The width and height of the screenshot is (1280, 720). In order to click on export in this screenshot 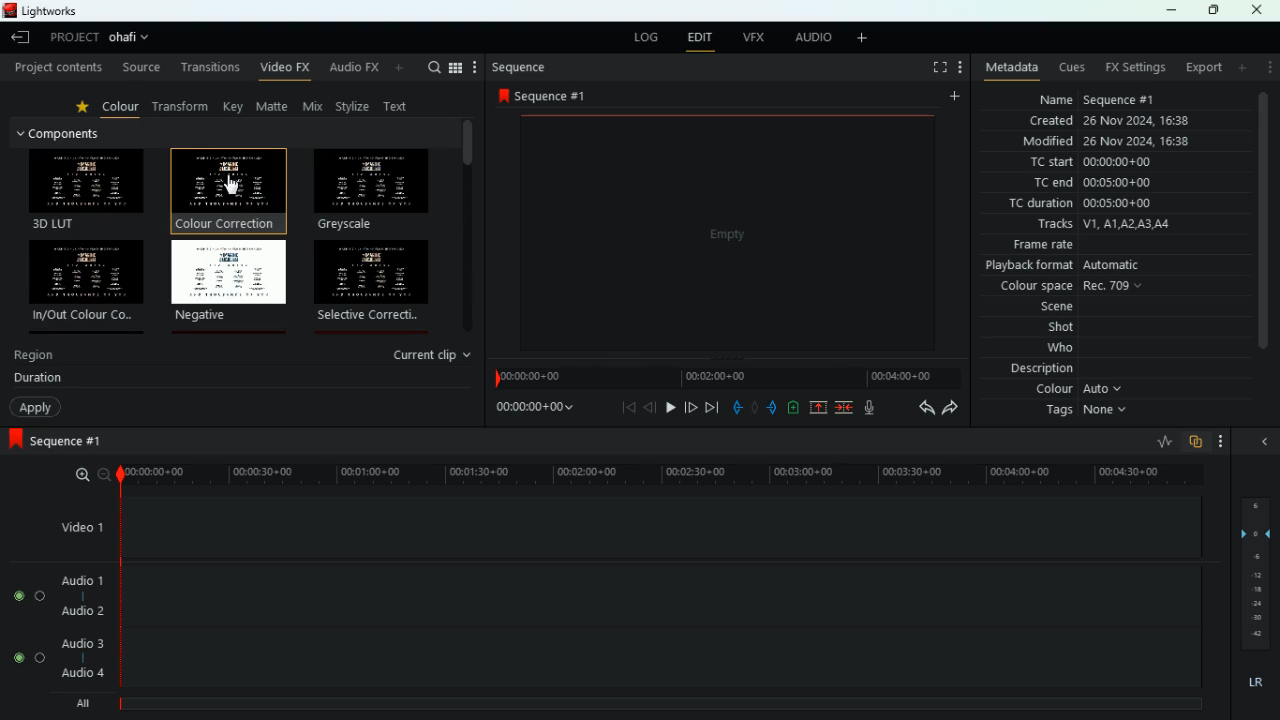, I will do `click(1203, 67)`.